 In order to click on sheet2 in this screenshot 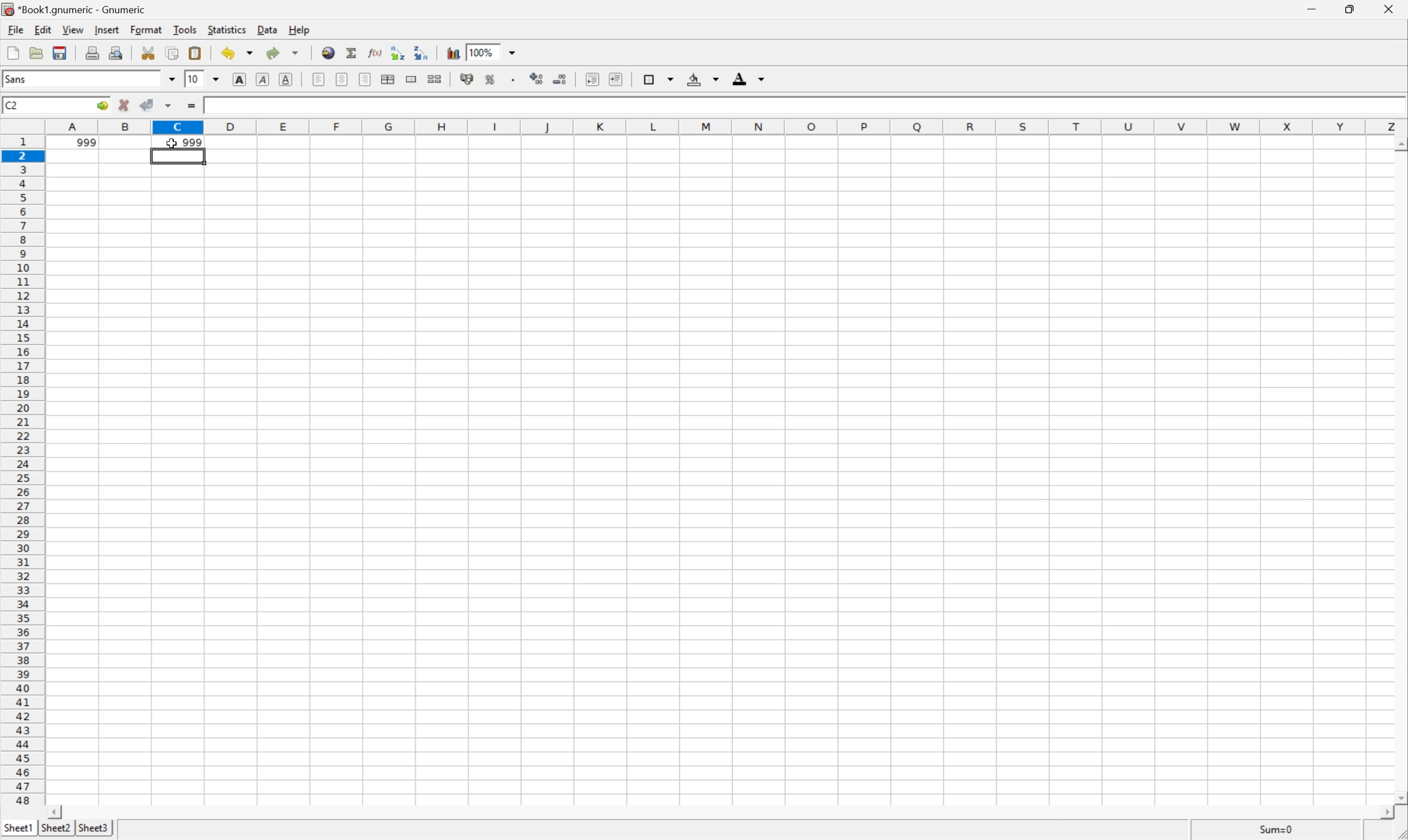, I will do `click(55, 832)`.